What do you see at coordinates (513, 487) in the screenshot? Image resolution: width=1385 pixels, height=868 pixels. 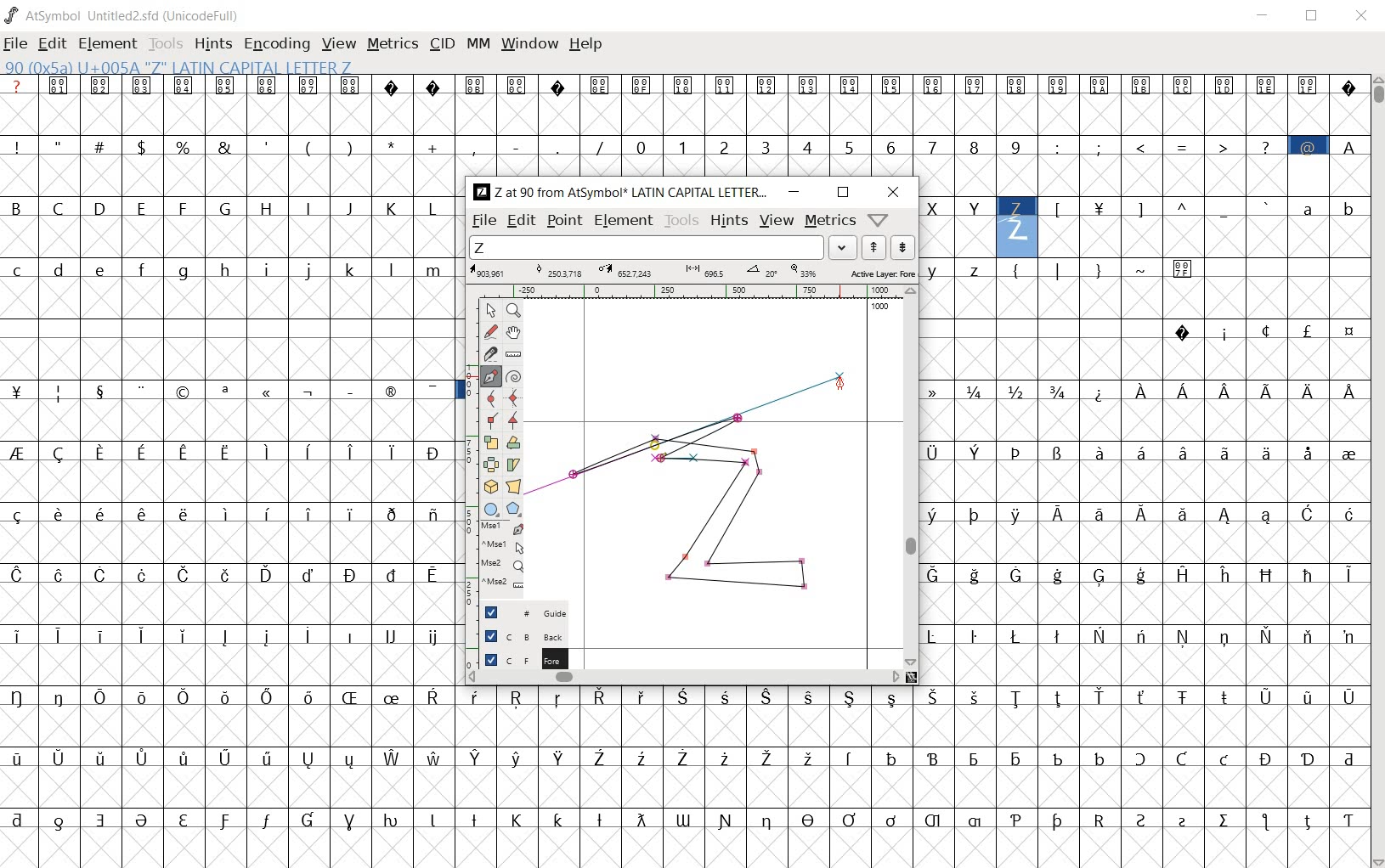 I see `perform a perspective transformation on the selection` at bounding box center [513, 487].